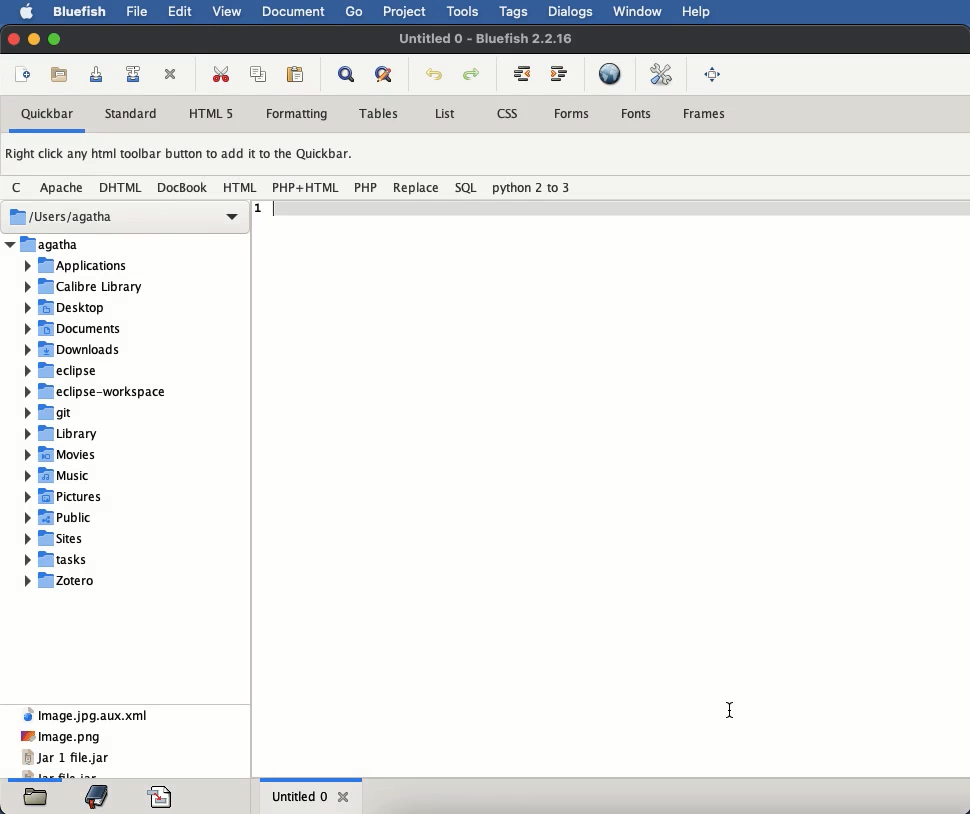 The width and height of the screenshot is (970, 814). What do you see at coordinates (563, 73) in the screenshot?
I see `indent` at bounding box center [563, 73].